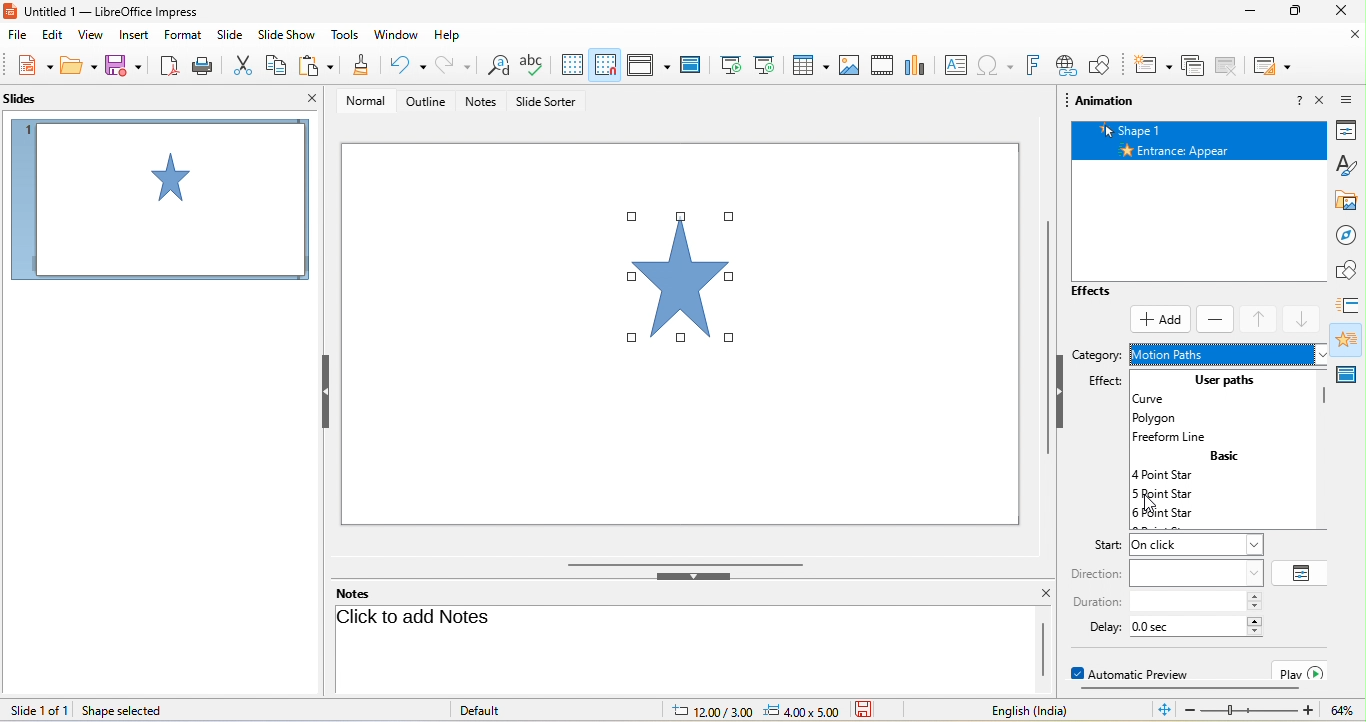 Image resolution: width=1366 pixels, height=722 pixels. Describe the element at coordinates (102, 11) in the screenshot. I see `current window title: Untitled 1 — LibreOffice Impress` at that location.